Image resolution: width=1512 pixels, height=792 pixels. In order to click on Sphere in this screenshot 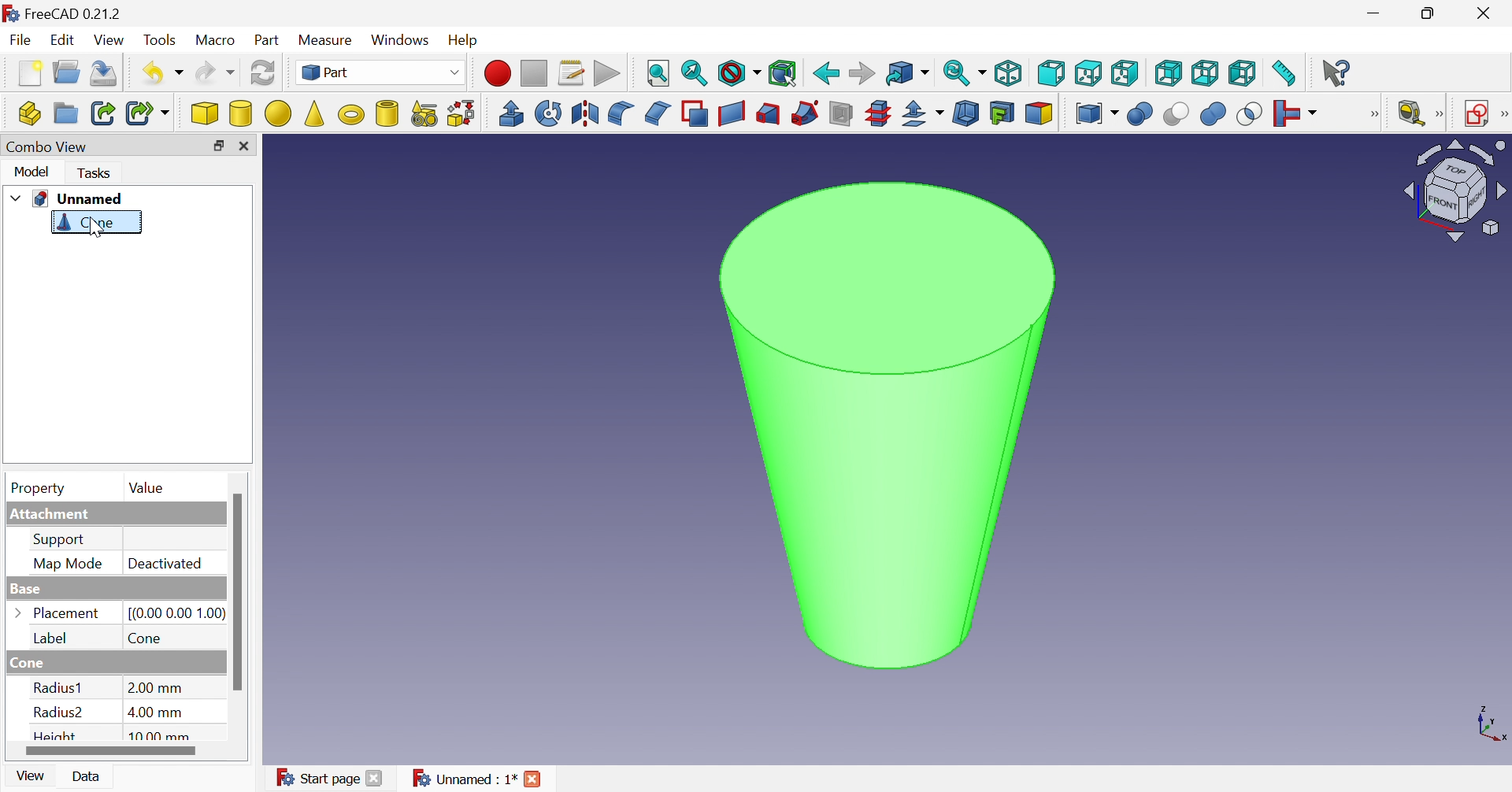, I will do `click(276, 112)`.